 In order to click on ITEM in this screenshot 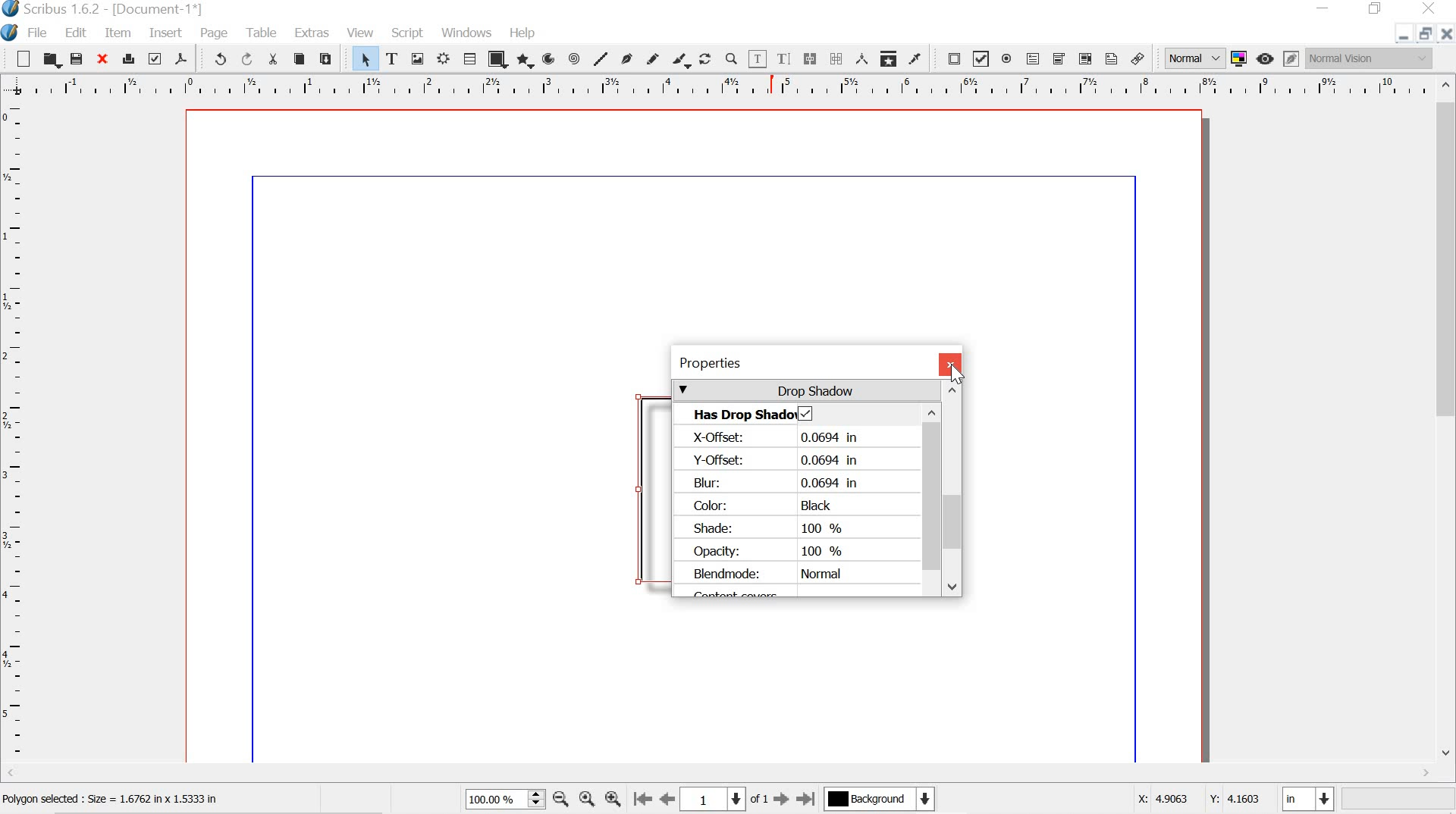, I will do `click(119, 33)`.